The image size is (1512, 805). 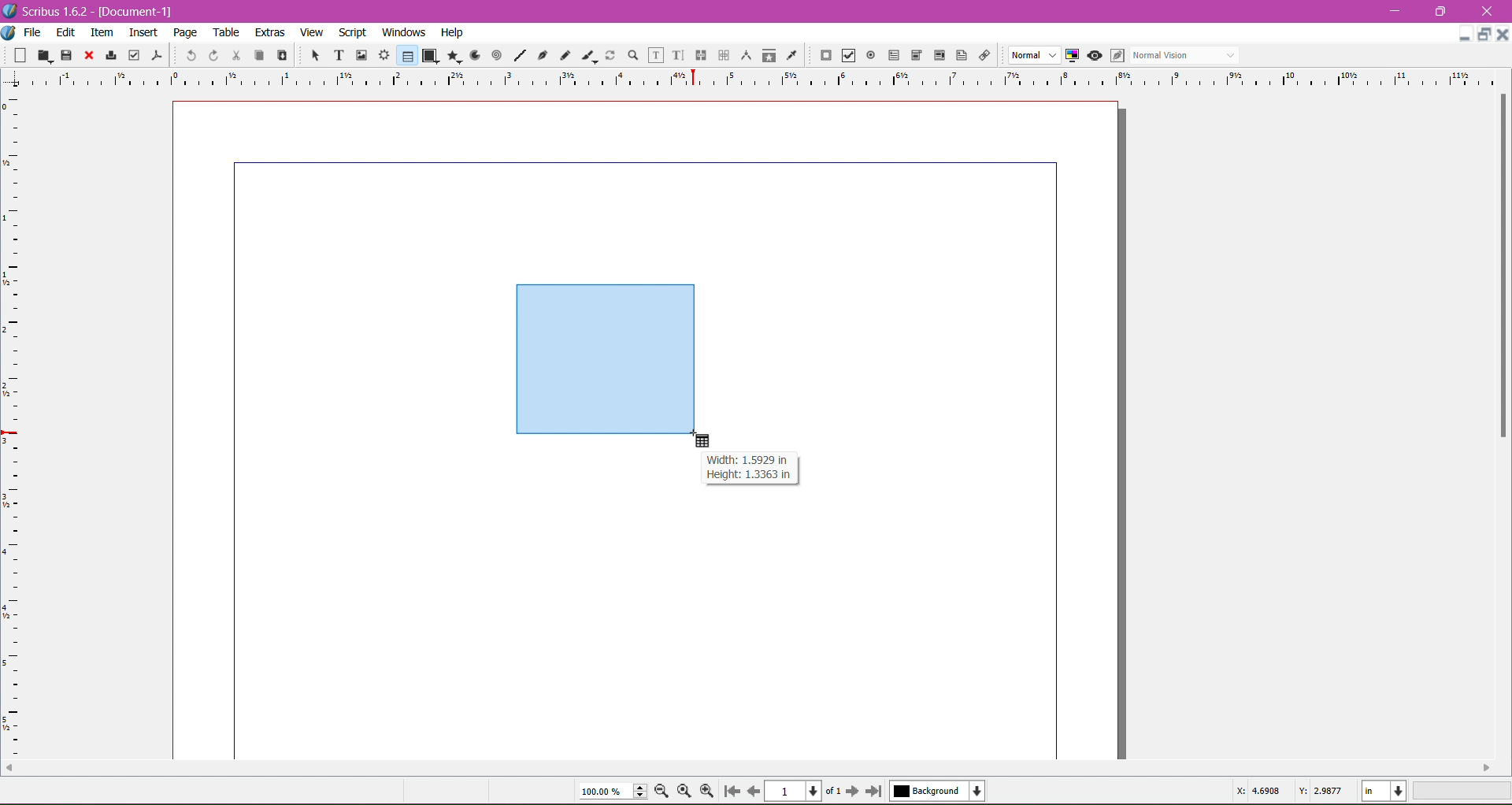 What do you see at coordinates (452, 33) in the screenshot?
I see `Help` at bounding box center [452, 33].